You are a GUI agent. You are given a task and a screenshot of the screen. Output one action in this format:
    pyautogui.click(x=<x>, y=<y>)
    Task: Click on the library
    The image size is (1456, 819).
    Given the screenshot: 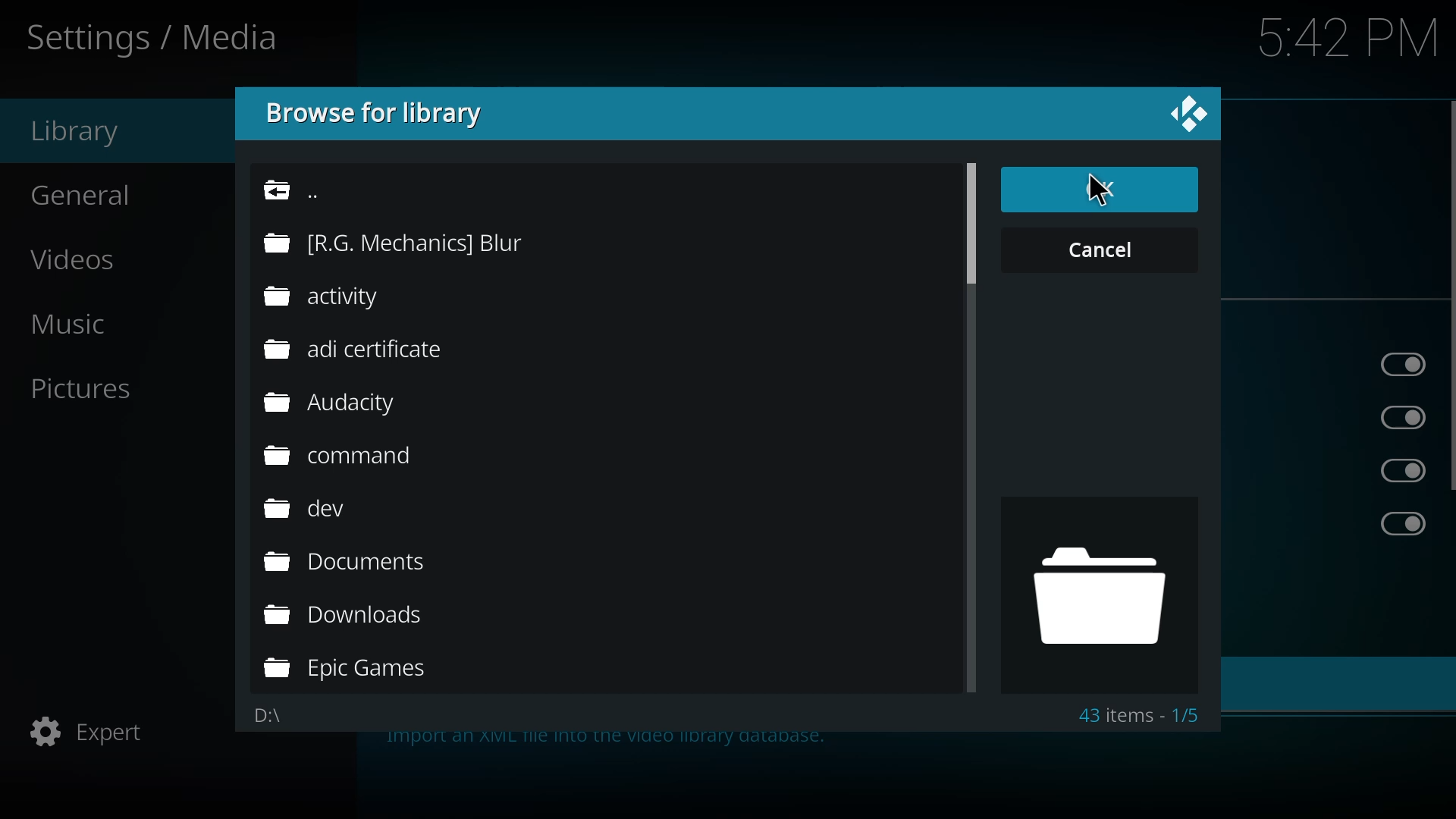 What is the action you would take?
    pyautogui.click(x=80, y=131)
    